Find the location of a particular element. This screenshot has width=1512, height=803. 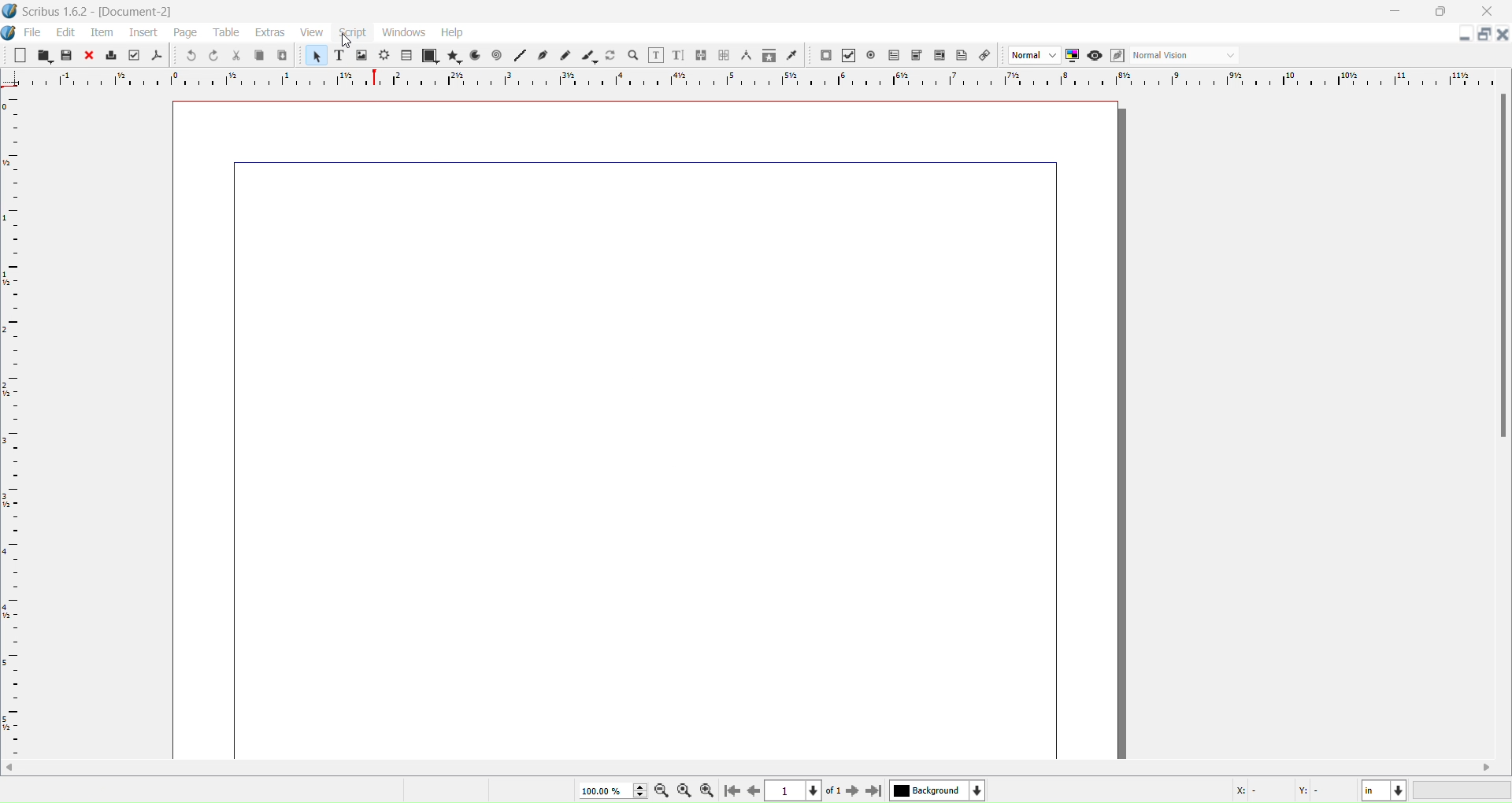

Table is located at coordinates (227, 33).